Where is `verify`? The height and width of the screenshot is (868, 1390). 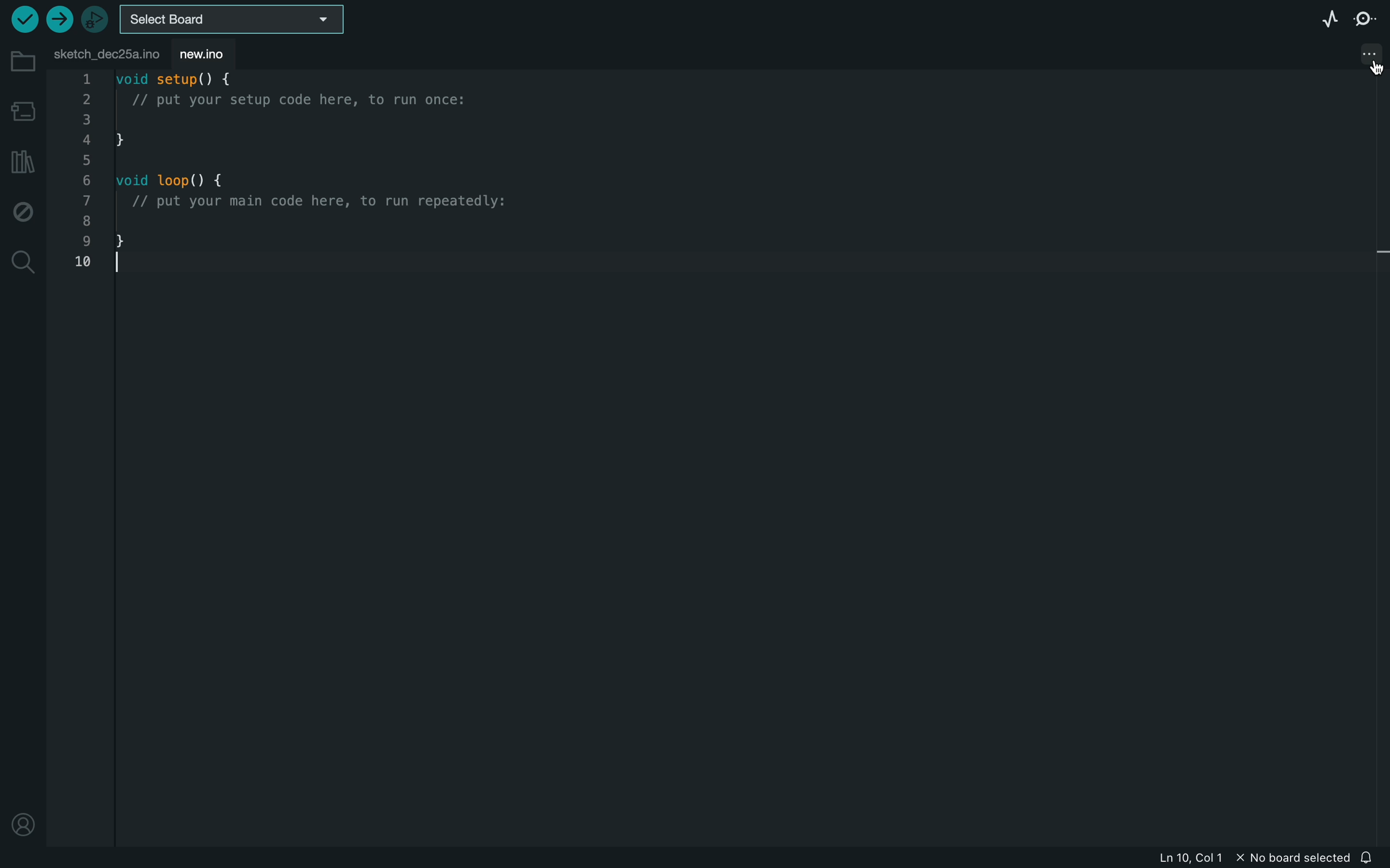 verify is located at coordinates (22, 20).